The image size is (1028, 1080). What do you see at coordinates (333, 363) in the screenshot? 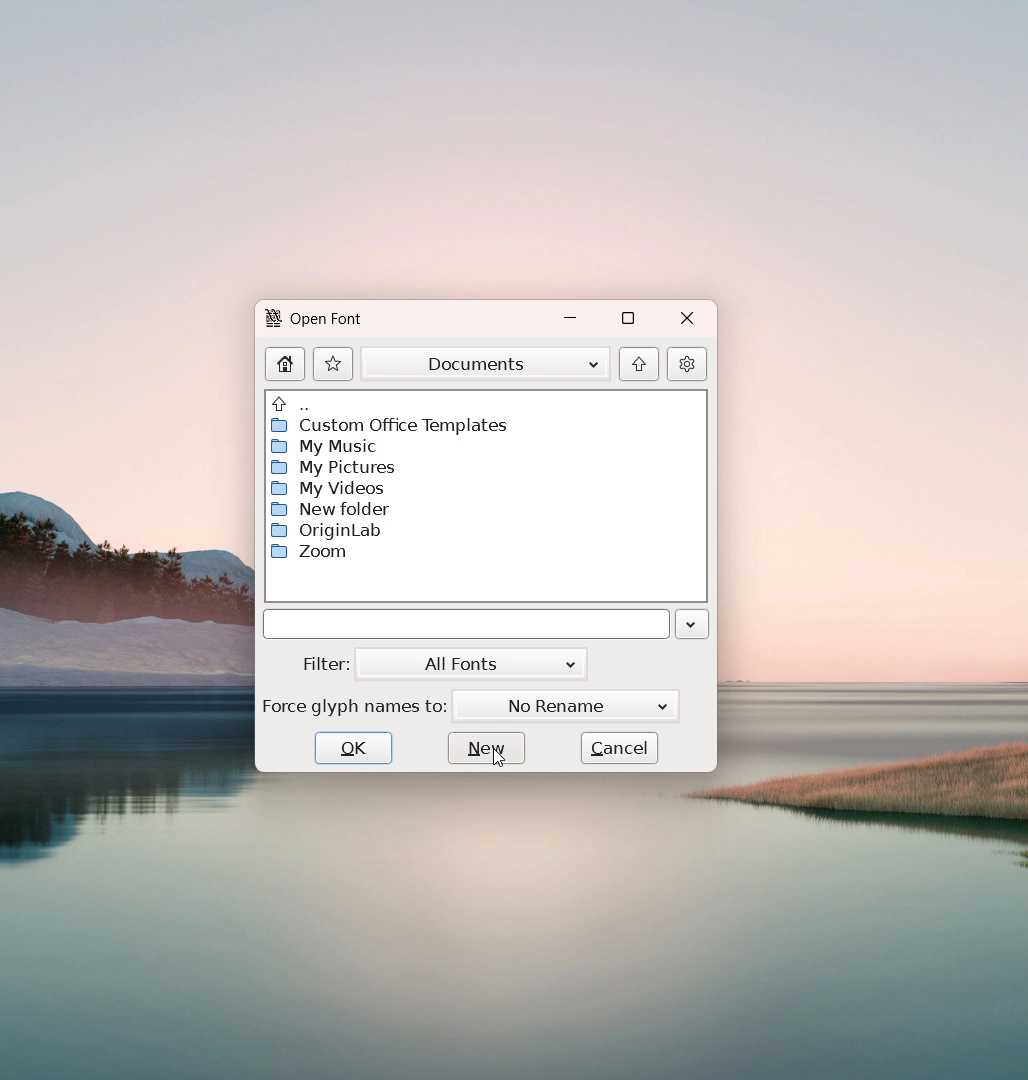
I see `Favorite` at bounding box center [333, 363].